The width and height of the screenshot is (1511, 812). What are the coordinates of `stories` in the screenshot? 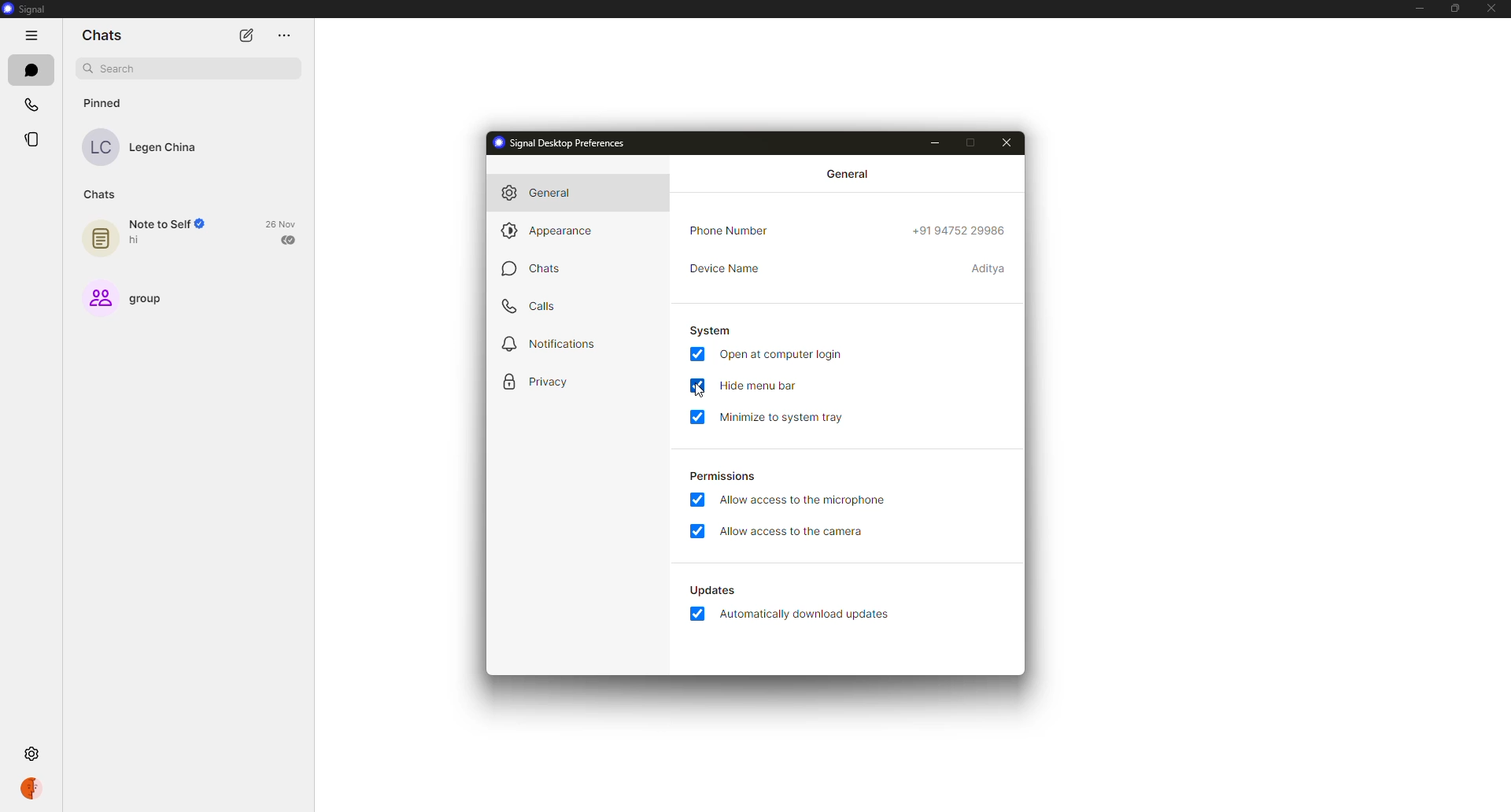 It's located at (34, 142).